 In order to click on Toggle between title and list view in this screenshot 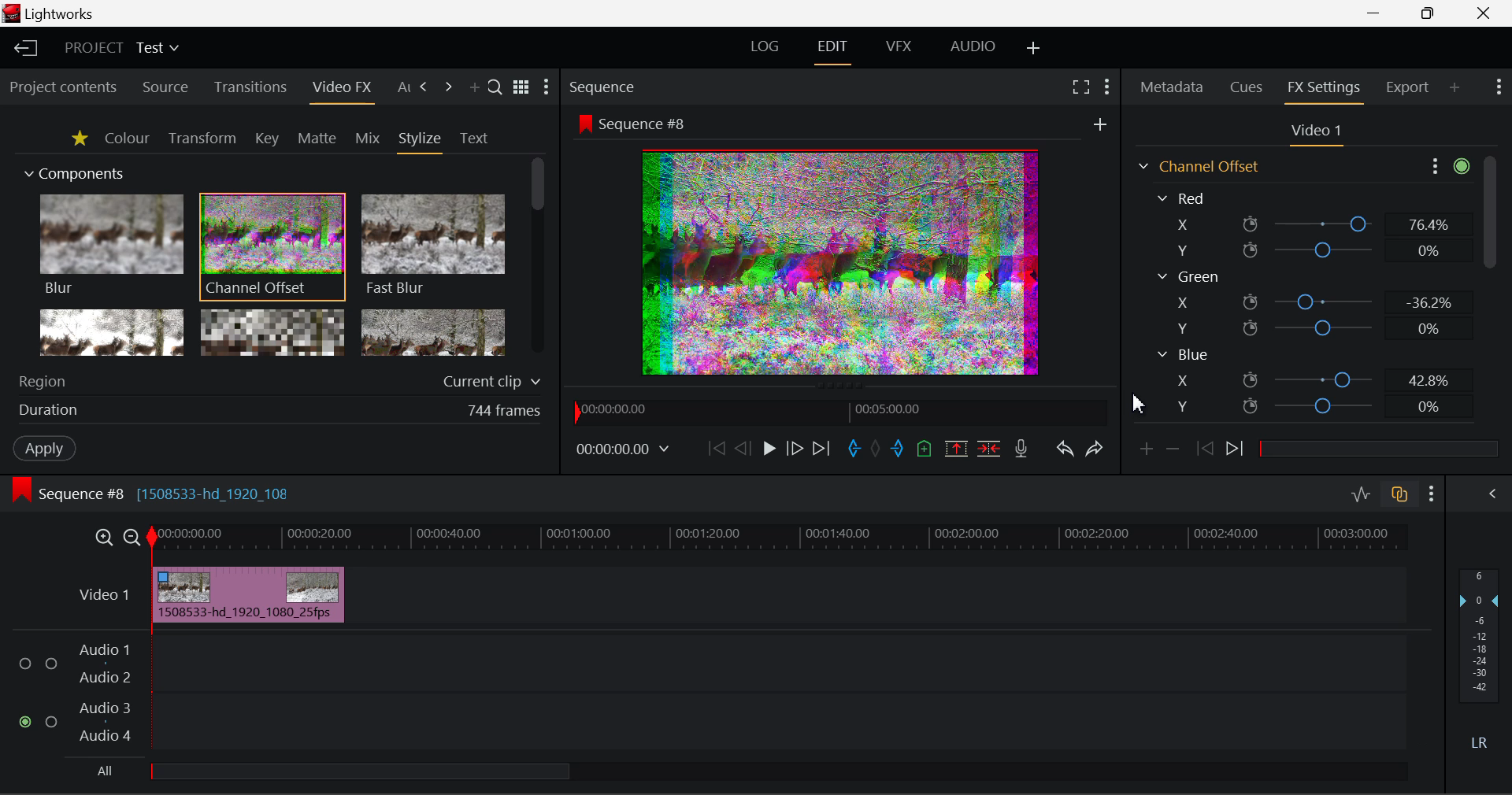, I will do `click(521, 84)`.